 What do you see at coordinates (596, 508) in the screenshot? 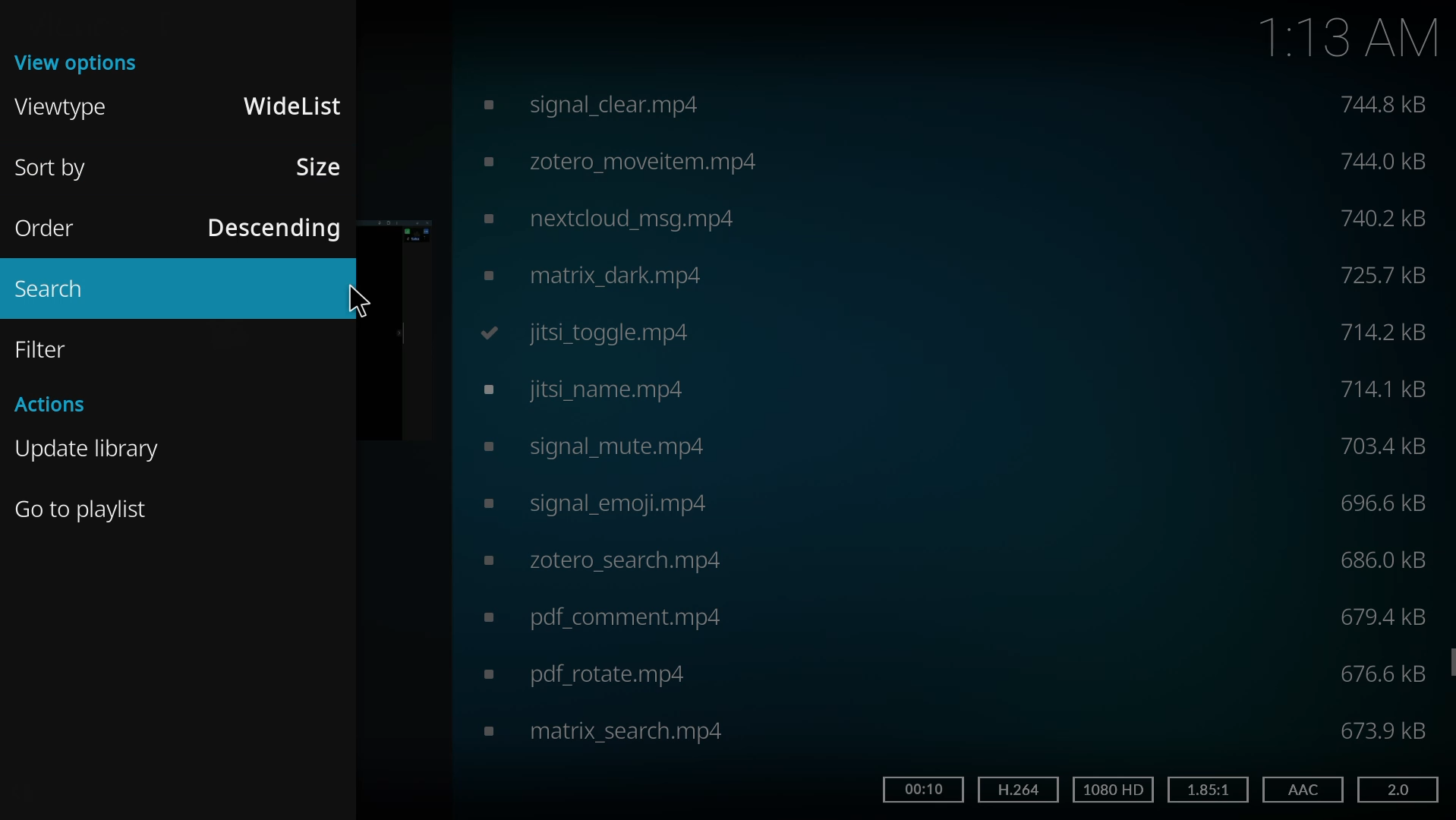
I see `video` at bounding box center [596, 508].